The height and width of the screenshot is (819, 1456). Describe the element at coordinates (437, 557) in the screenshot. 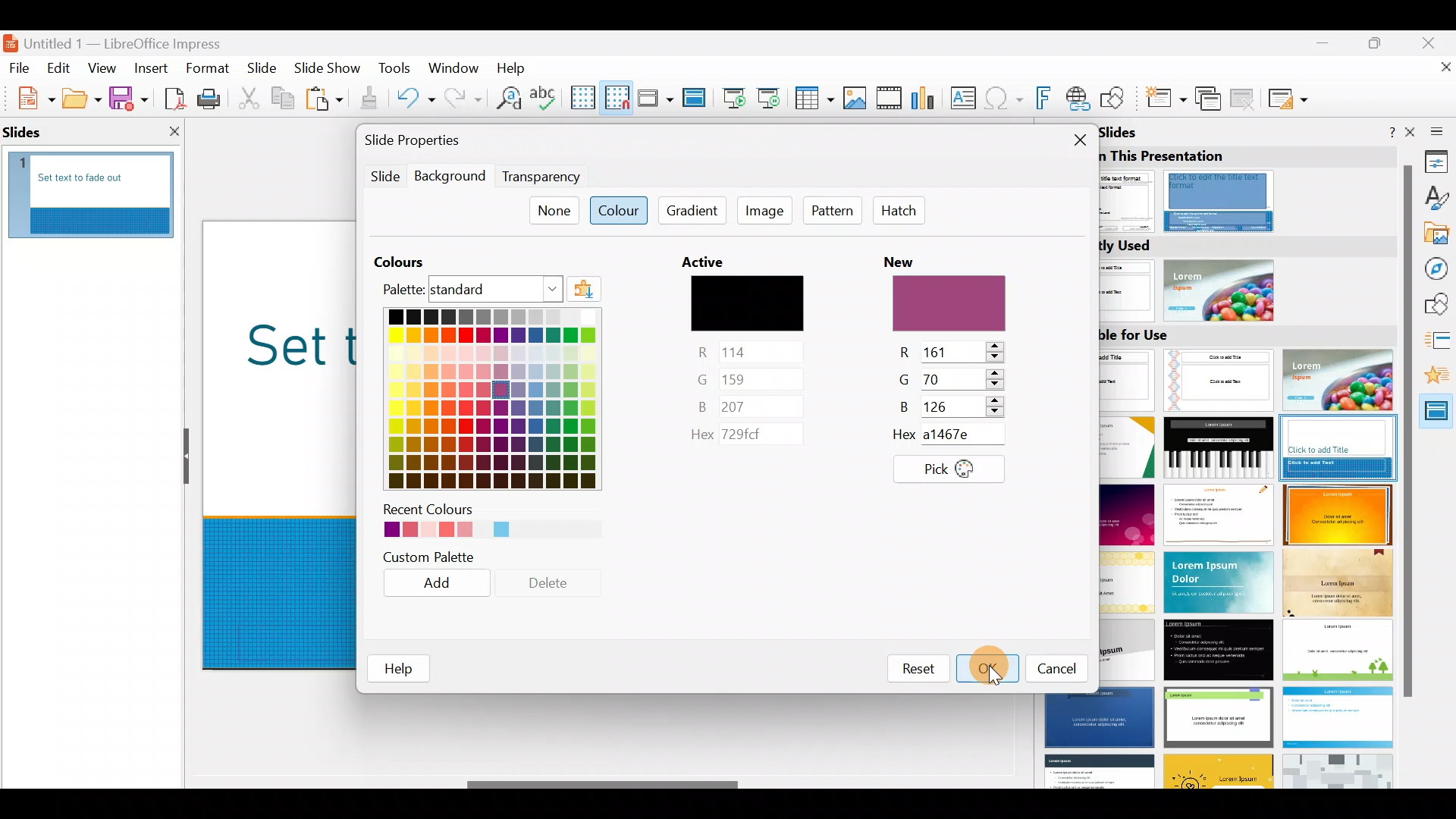

I see `Custom palette` at that location.